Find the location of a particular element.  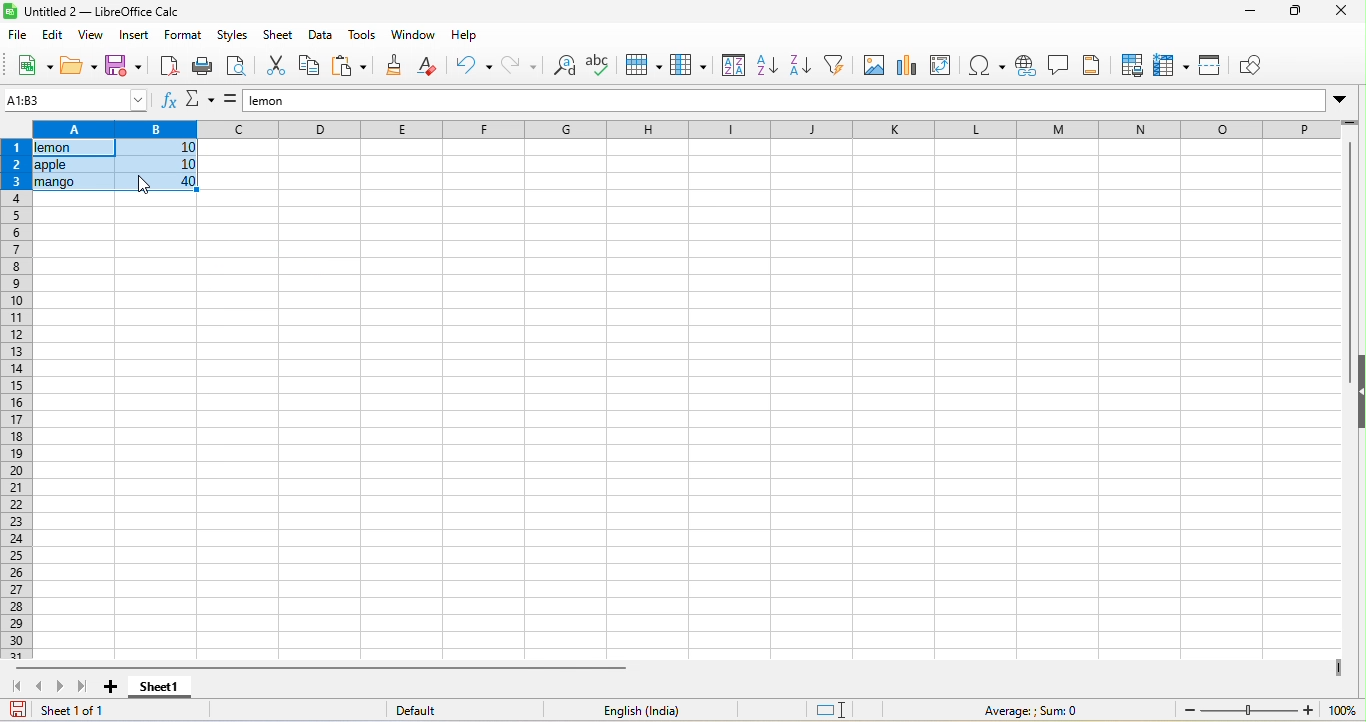

cut is located at coordinates (272, 68).